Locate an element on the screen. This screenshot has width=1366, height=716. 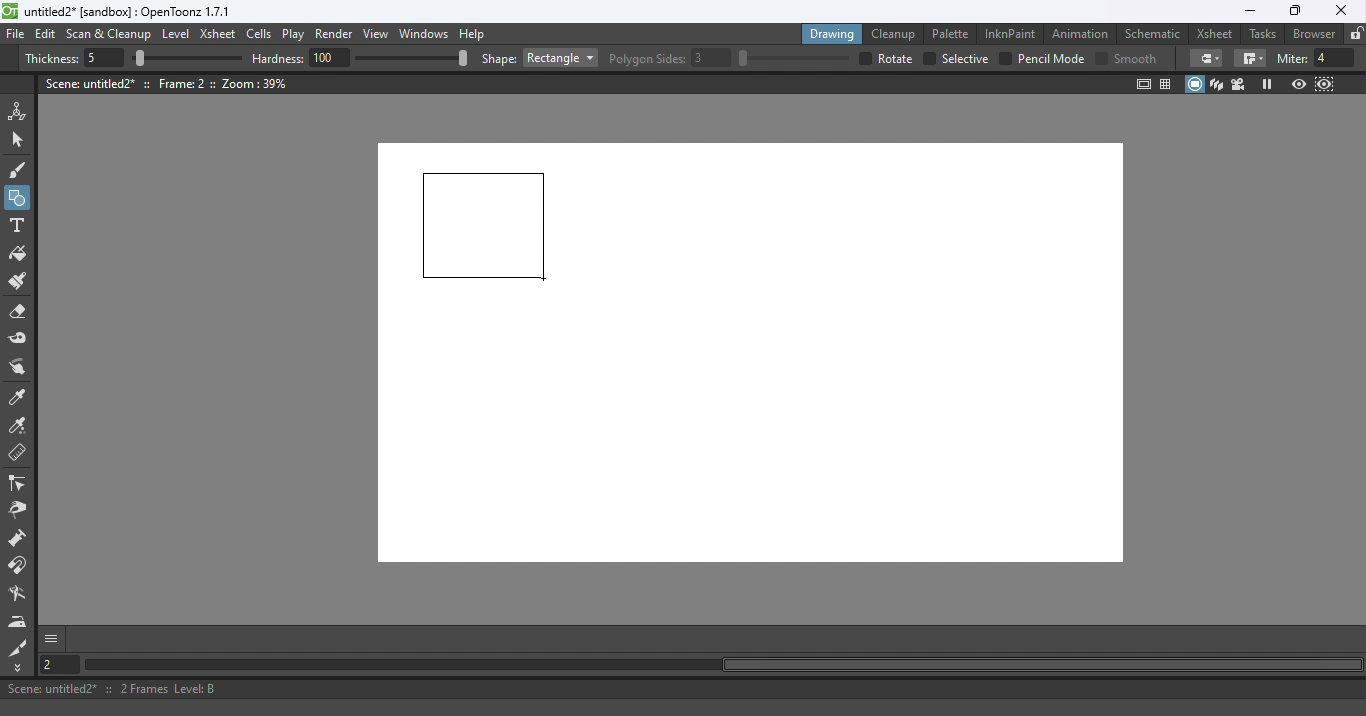
5 is located at coordinates (101, 59).